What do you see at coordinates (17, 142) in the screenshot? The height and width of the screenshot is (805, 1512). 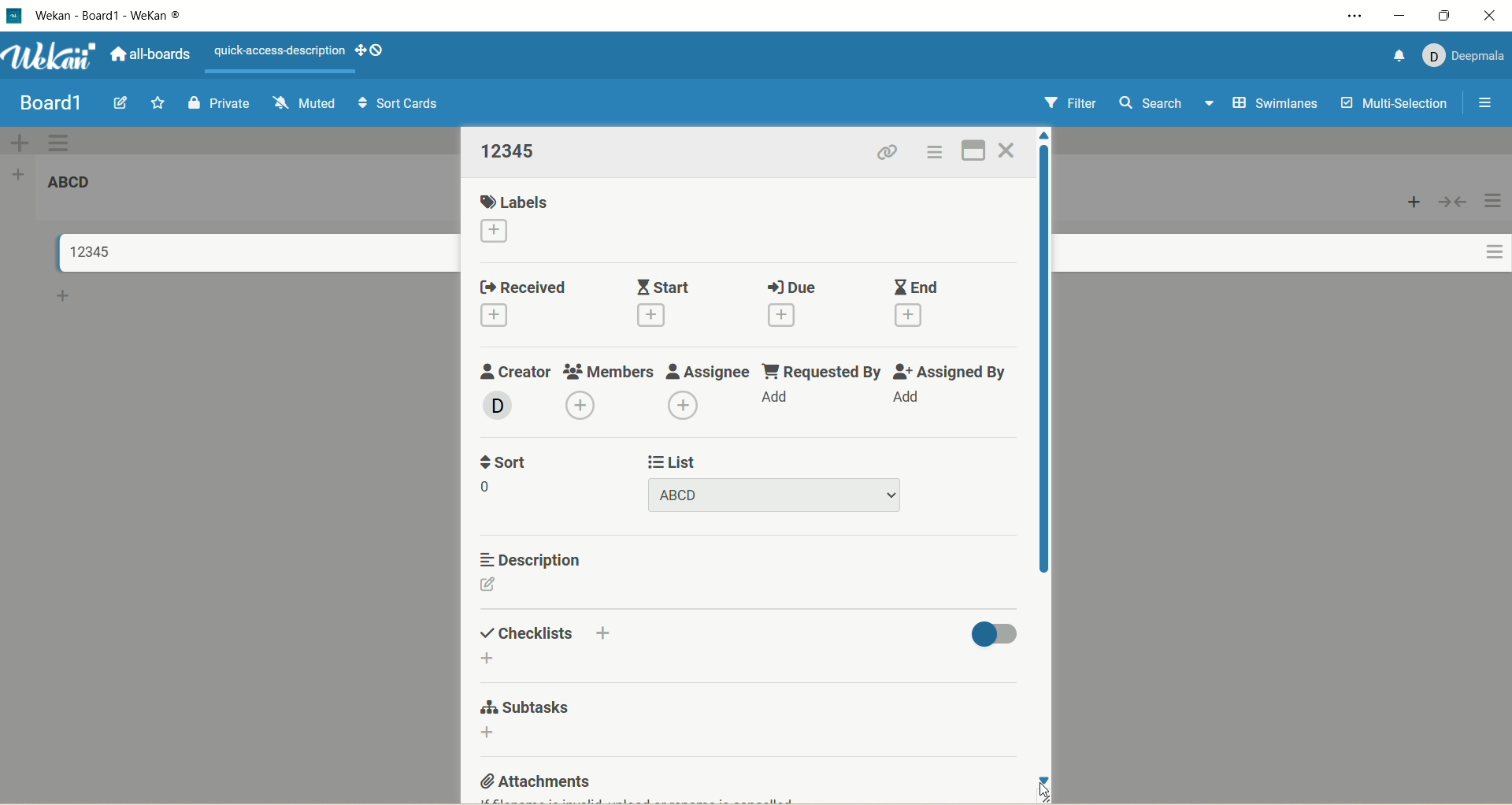 I see `add swimlane` at bounding box center [17, 142].